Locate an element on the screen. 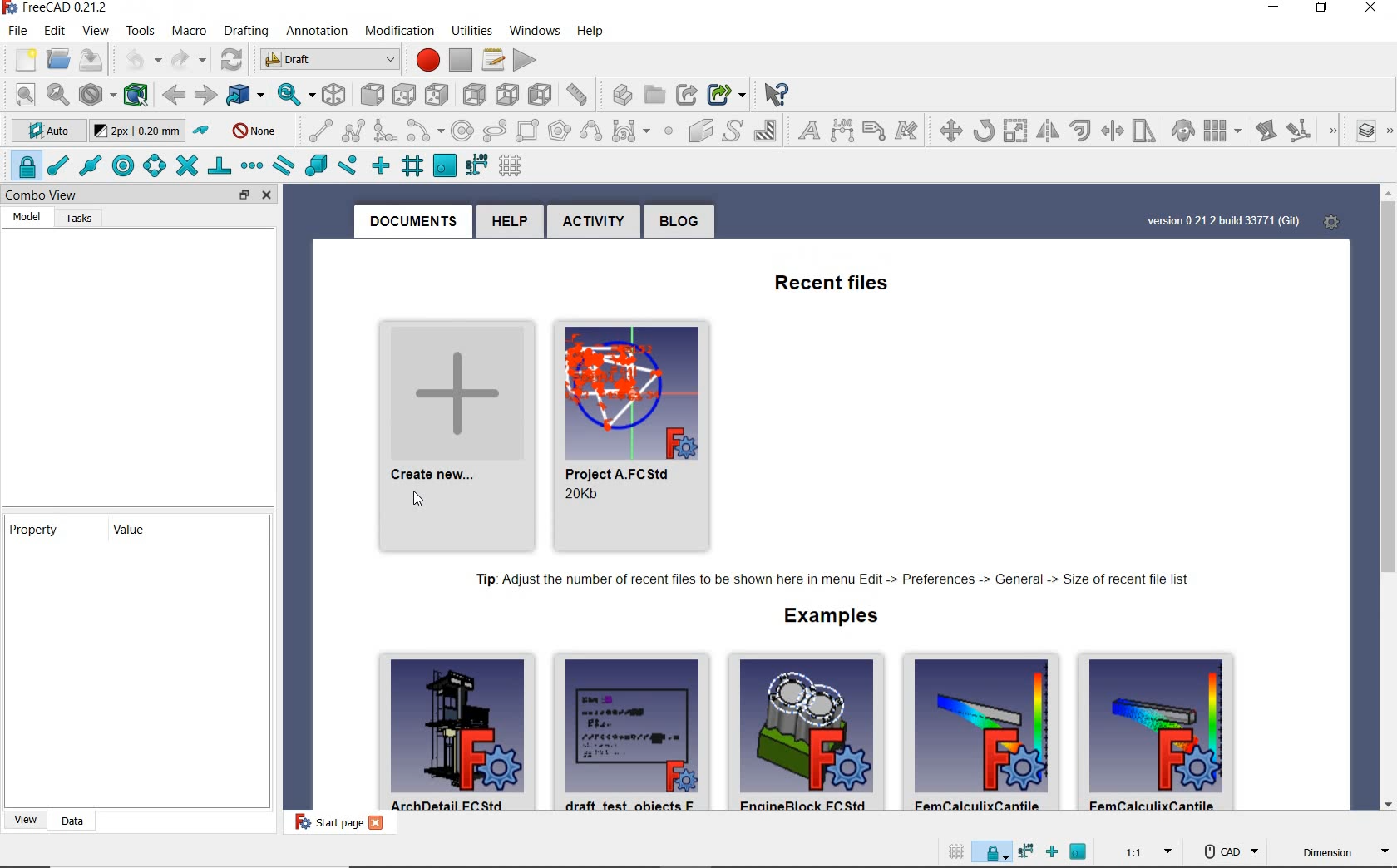 This screenshot has height=868, width=1397. default files is located at coordinates (810, 728).